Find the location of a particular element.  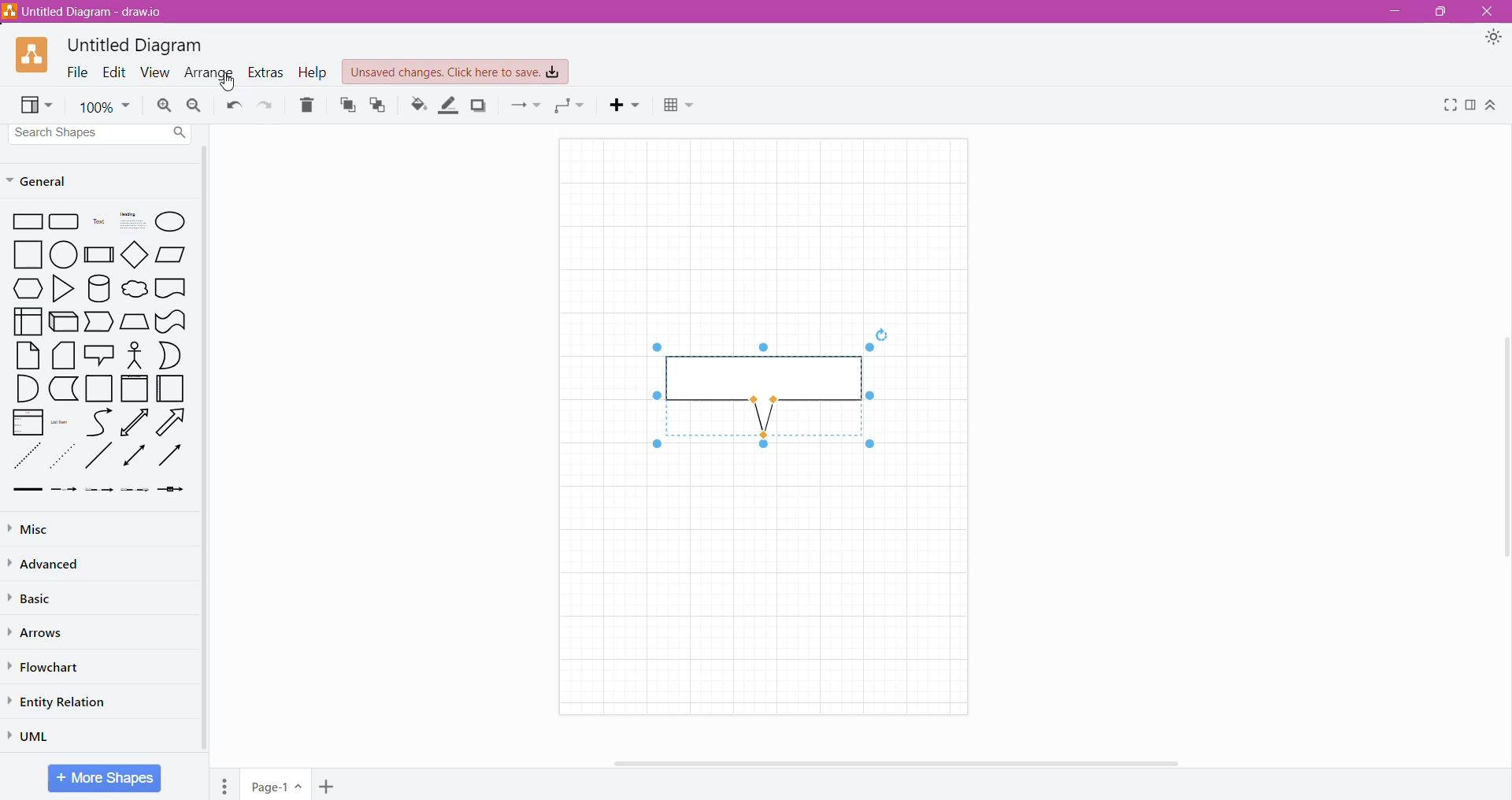

Upward Arrow is located at coordinates (135, 422).